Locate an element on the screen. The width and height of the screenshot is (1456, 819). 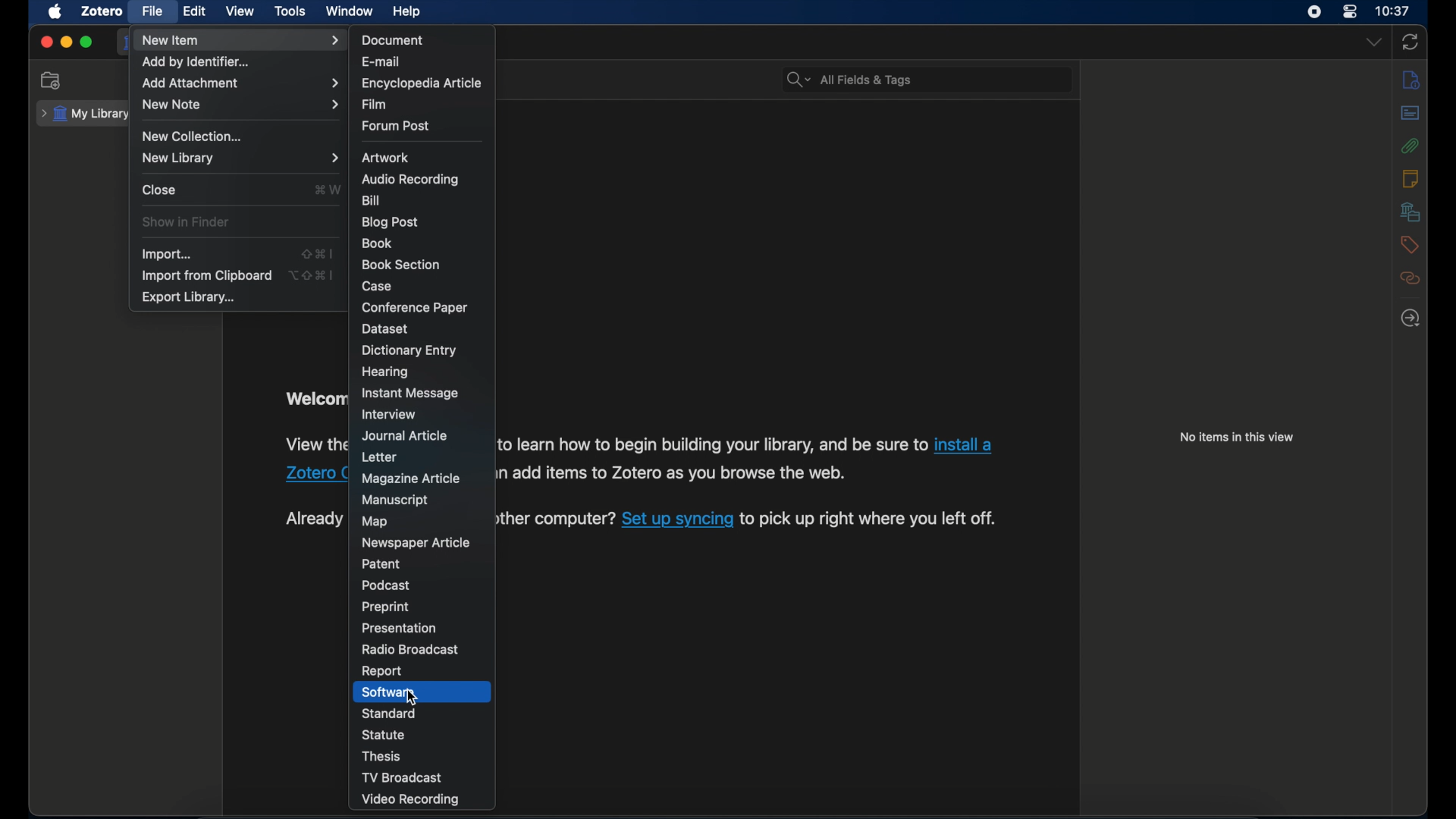
interview is located at coordinates (390, 414).